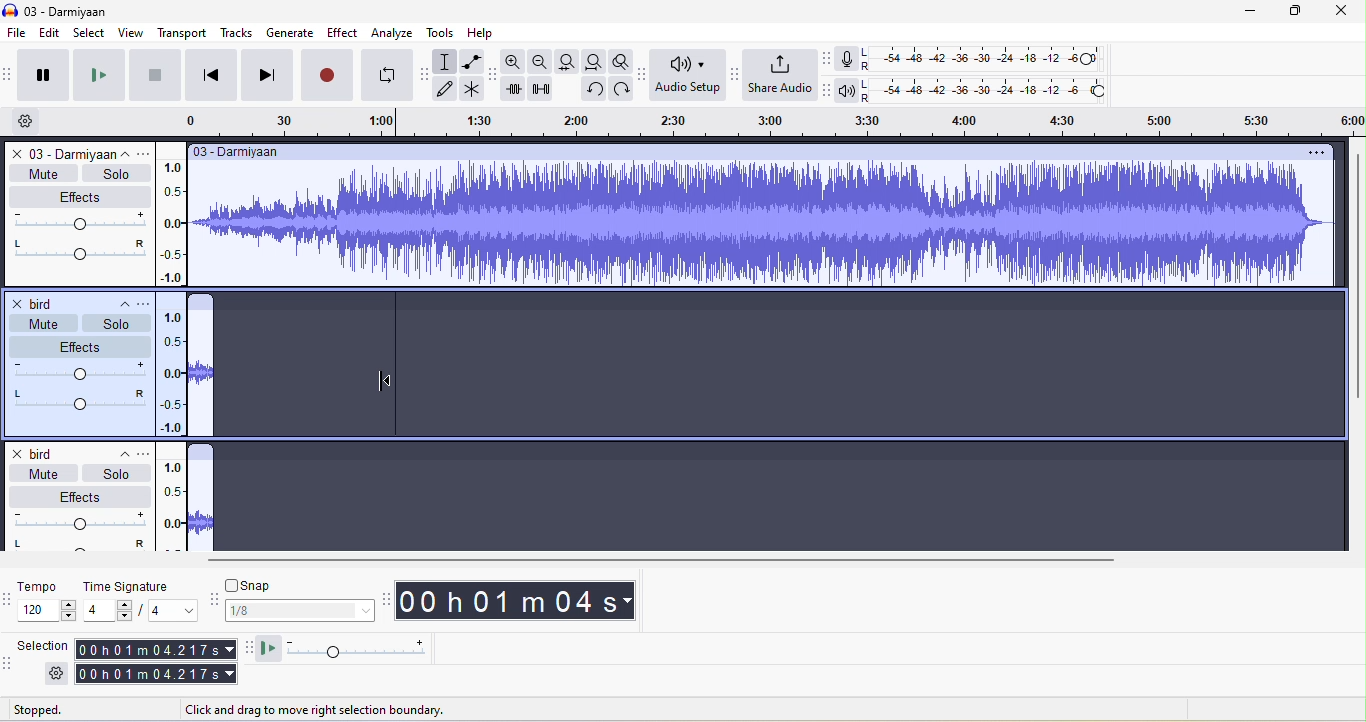 Image resolution: width=1366 pixels, height=722 pixels. What do you see at coordinates (129, 32) in the screenshot?
I see `view` at bounding box center [129, 32].